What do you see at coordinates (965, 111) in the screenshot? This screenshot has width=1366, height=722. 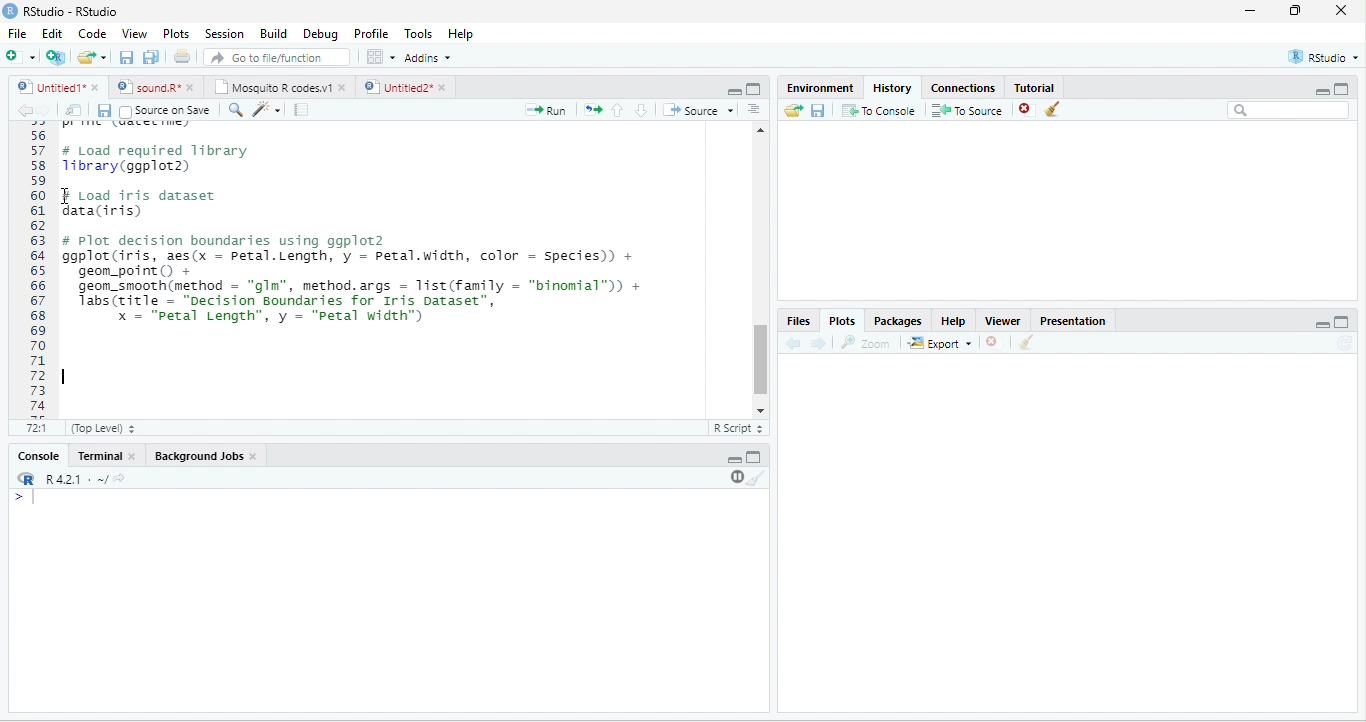 I see `To source` at bounding box center [965, 111].